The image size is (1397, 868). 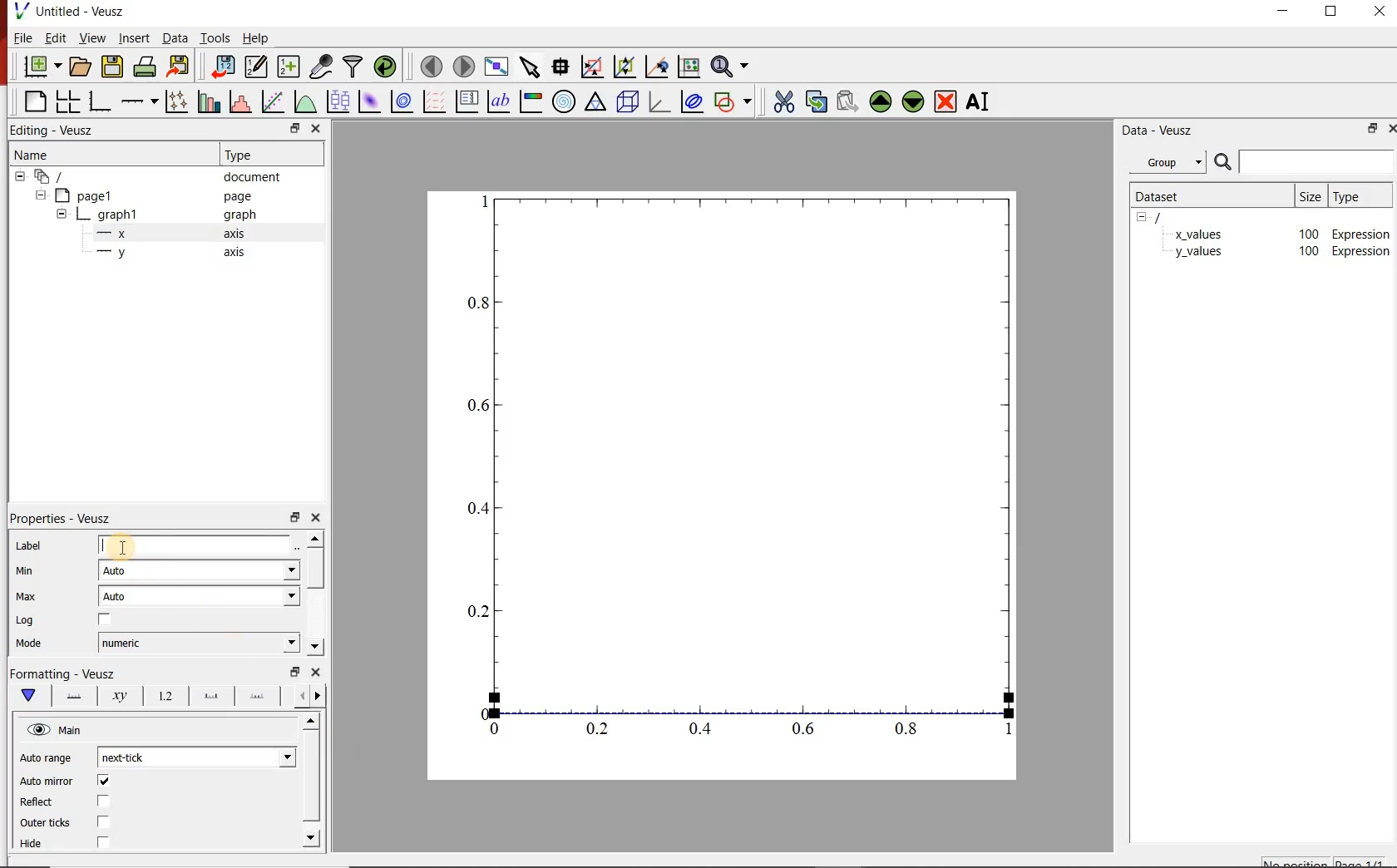 What do you see at coordinates (1358, 197) in the screenshot?
I see `type` at bounding box center [1358, 197].